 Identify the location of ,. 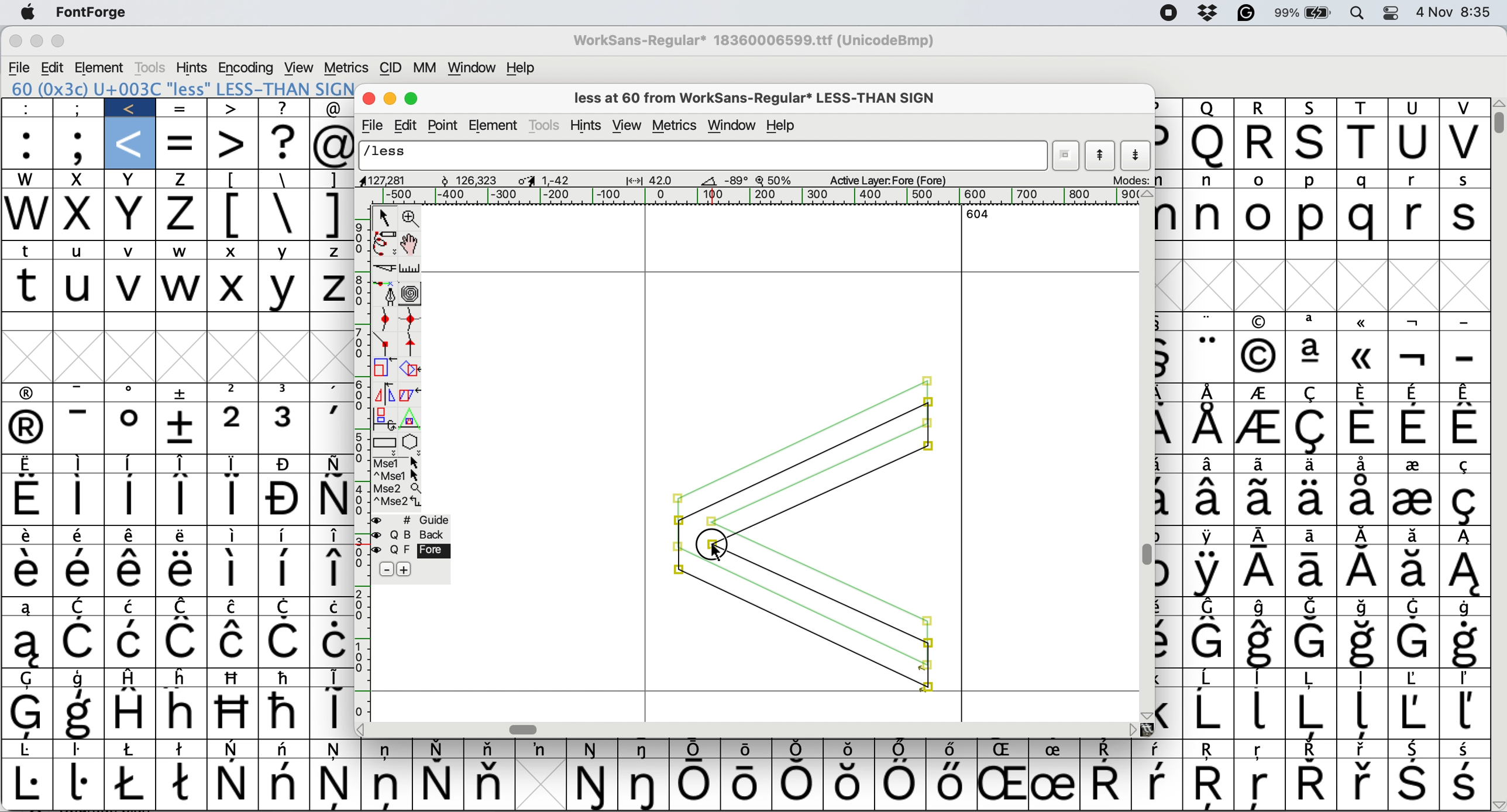
(328, 426).